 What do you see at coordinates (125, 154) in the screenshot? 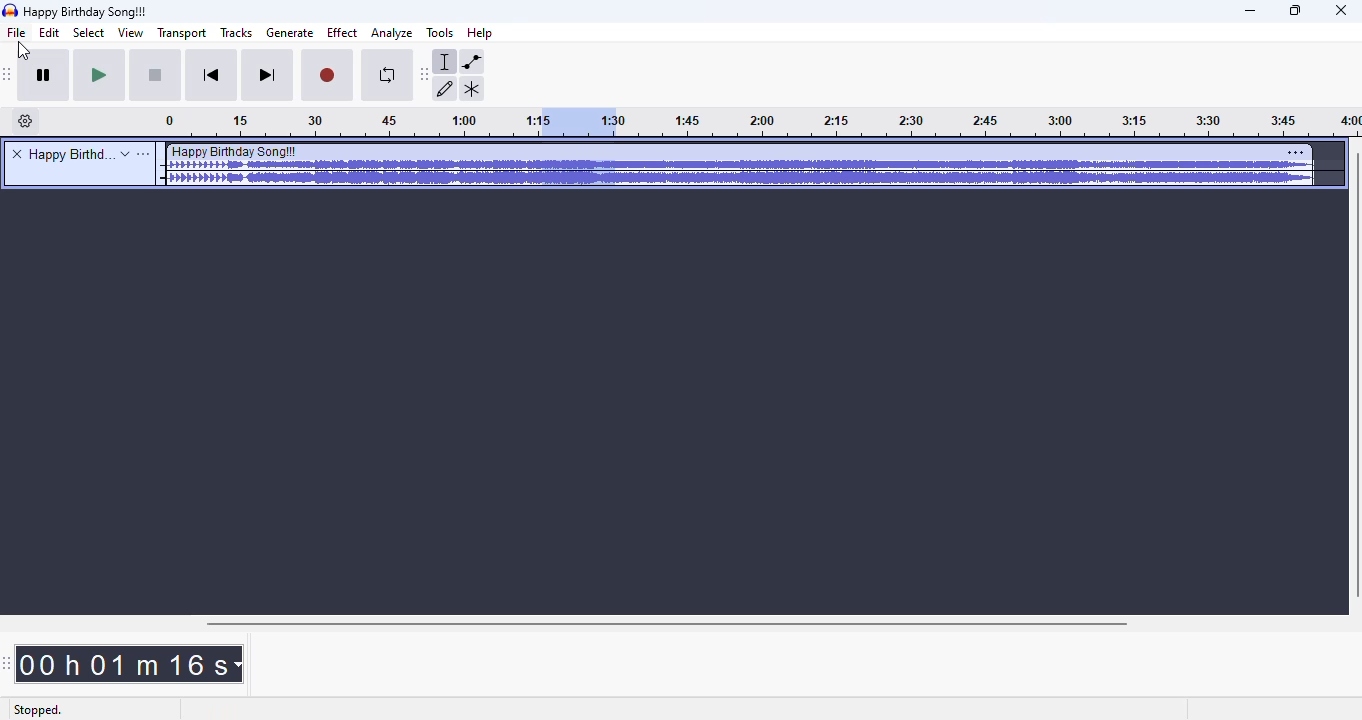
I see `expand` at bounding box center [125, 154].